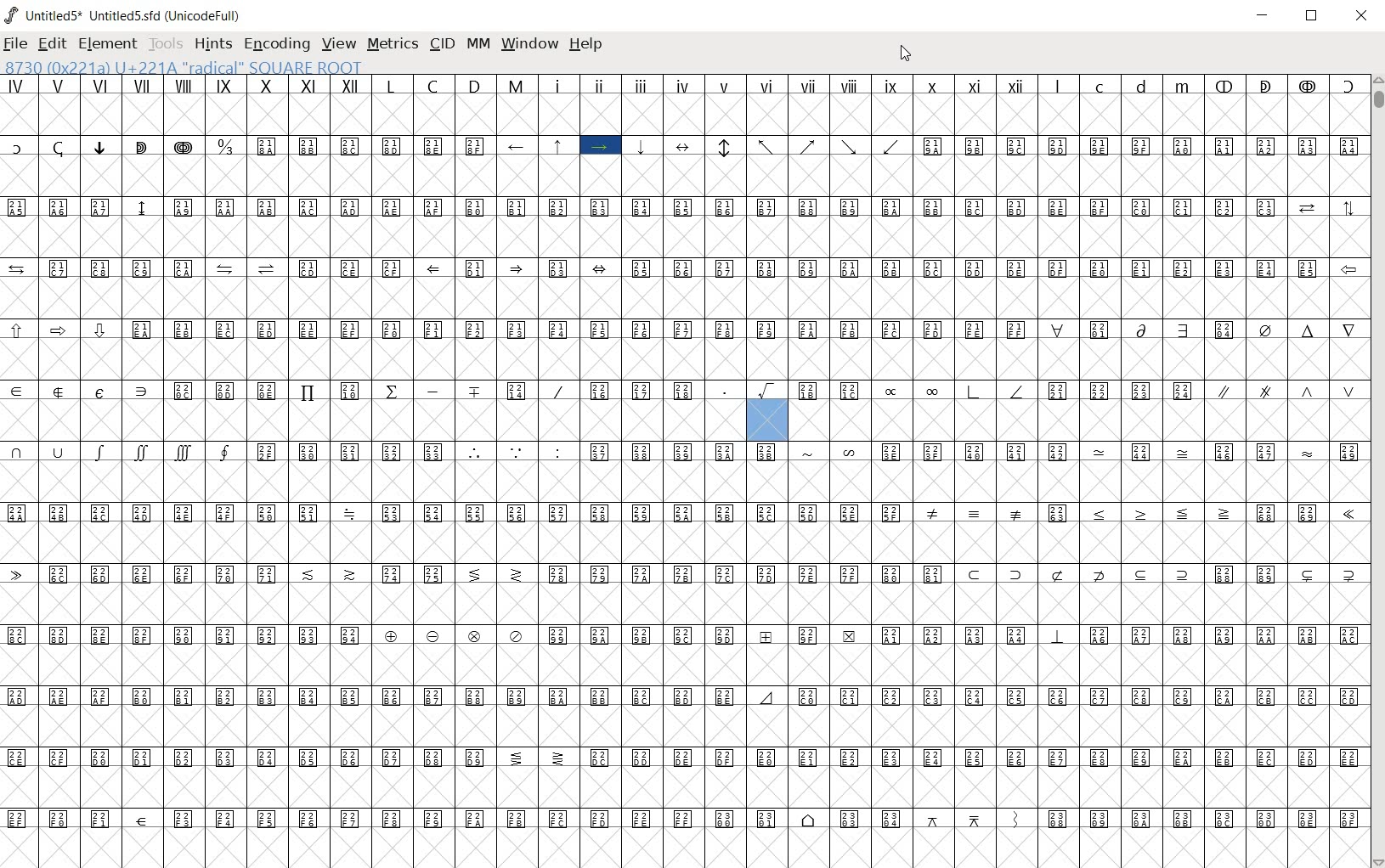  What do you see at coordinates (1097, 462) in the screenshot?
I see `Glyph characters` at bounding box center [1097, 462].